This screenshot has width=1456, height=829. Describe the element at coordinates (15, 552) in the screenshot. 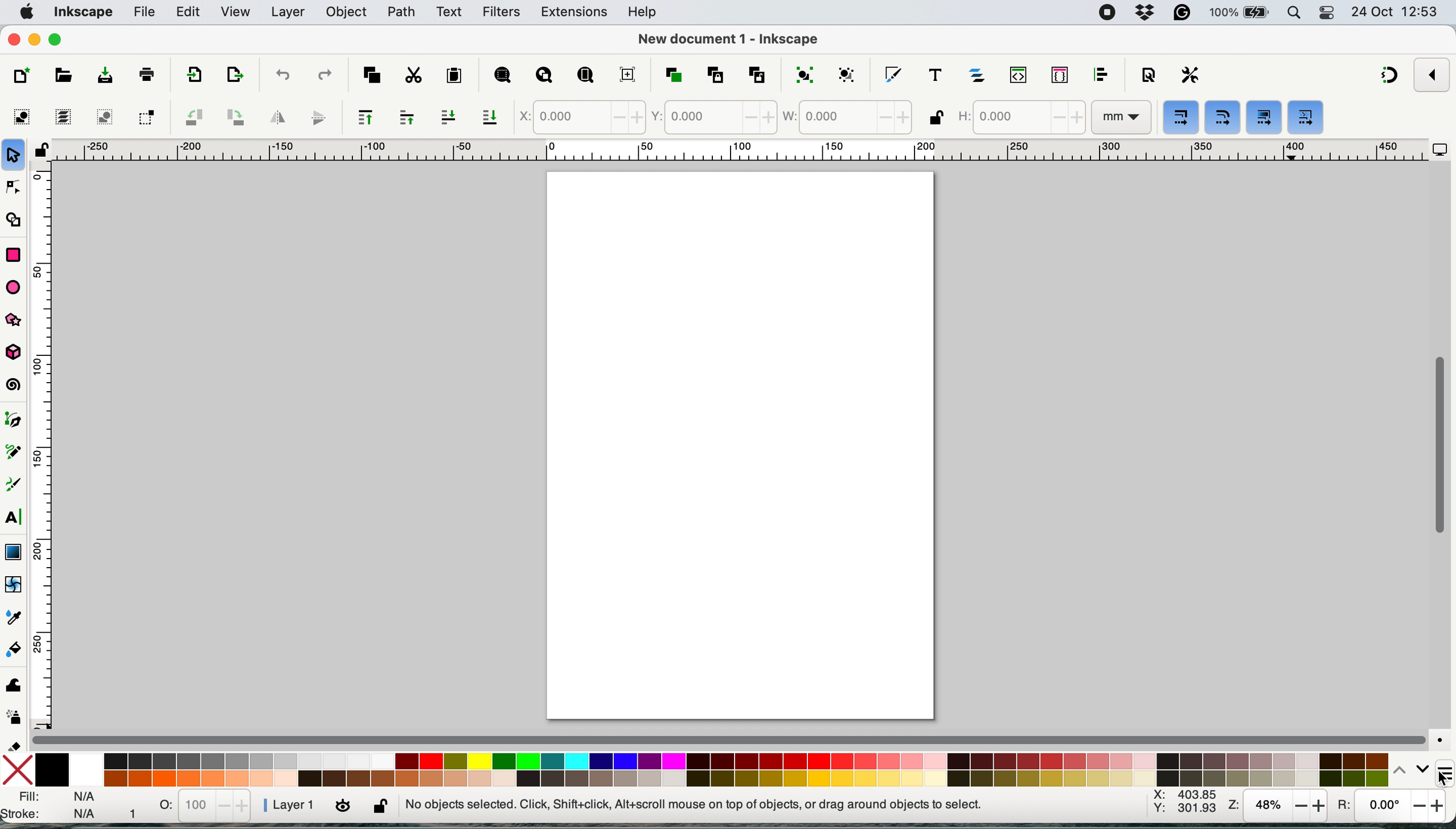

I see `gradient tool` at that location.